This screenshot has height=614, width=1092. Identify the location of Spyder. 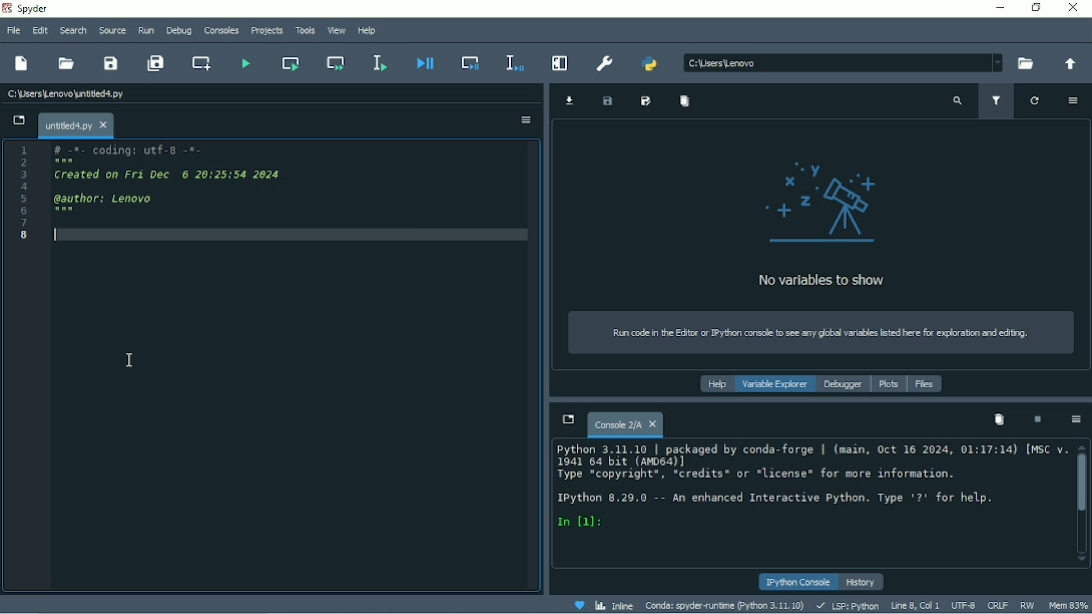
(29, 9).